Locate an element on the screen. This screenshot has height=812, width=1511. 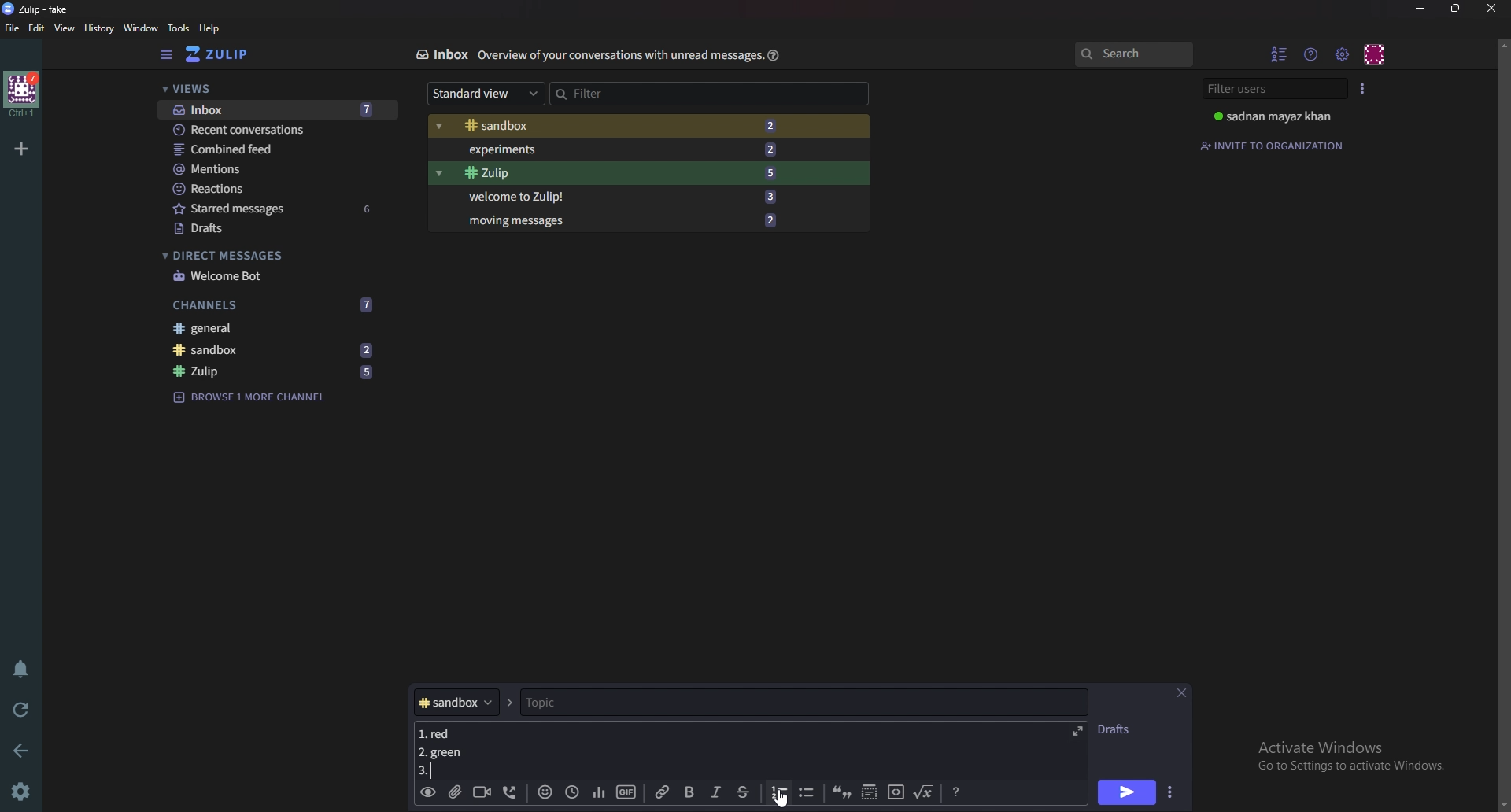
topic is located at coordinates (600, 700).